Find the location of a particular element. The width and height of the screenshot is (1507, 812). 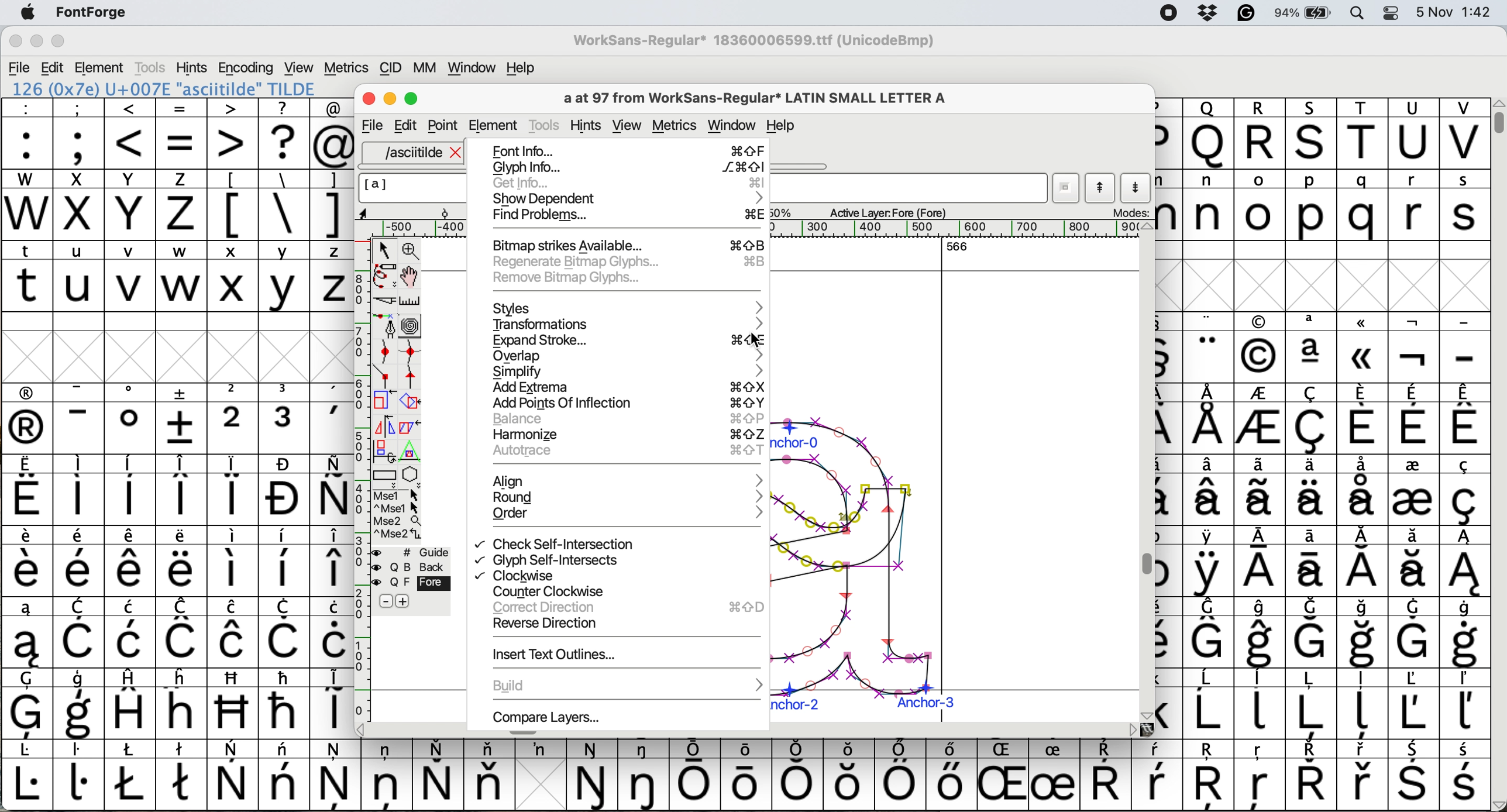

asciitilde is located at coordinates (421, 153).